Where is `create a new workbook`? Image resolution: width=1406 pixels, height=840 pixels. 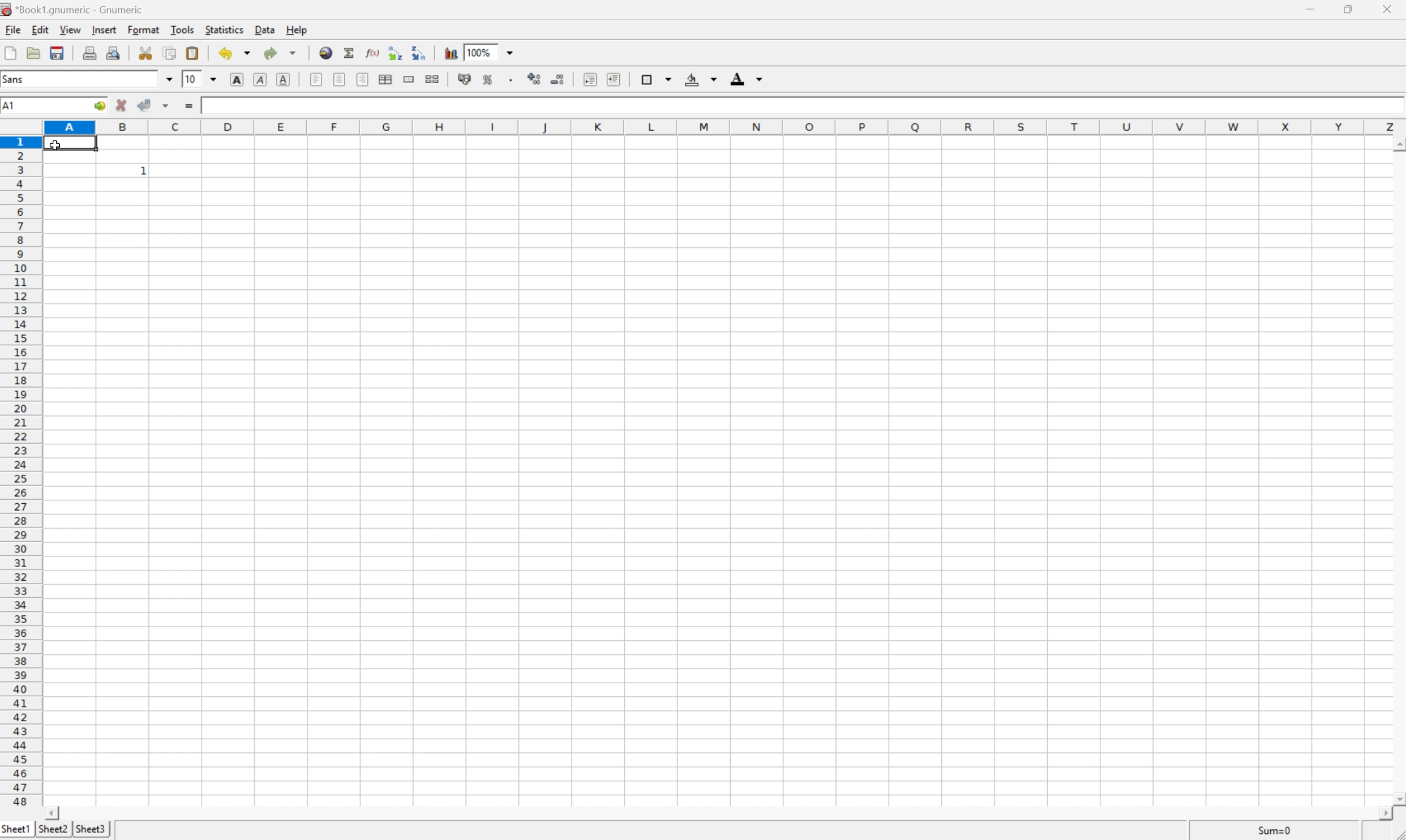
create a new workbook is located at coordinates (10, 54).